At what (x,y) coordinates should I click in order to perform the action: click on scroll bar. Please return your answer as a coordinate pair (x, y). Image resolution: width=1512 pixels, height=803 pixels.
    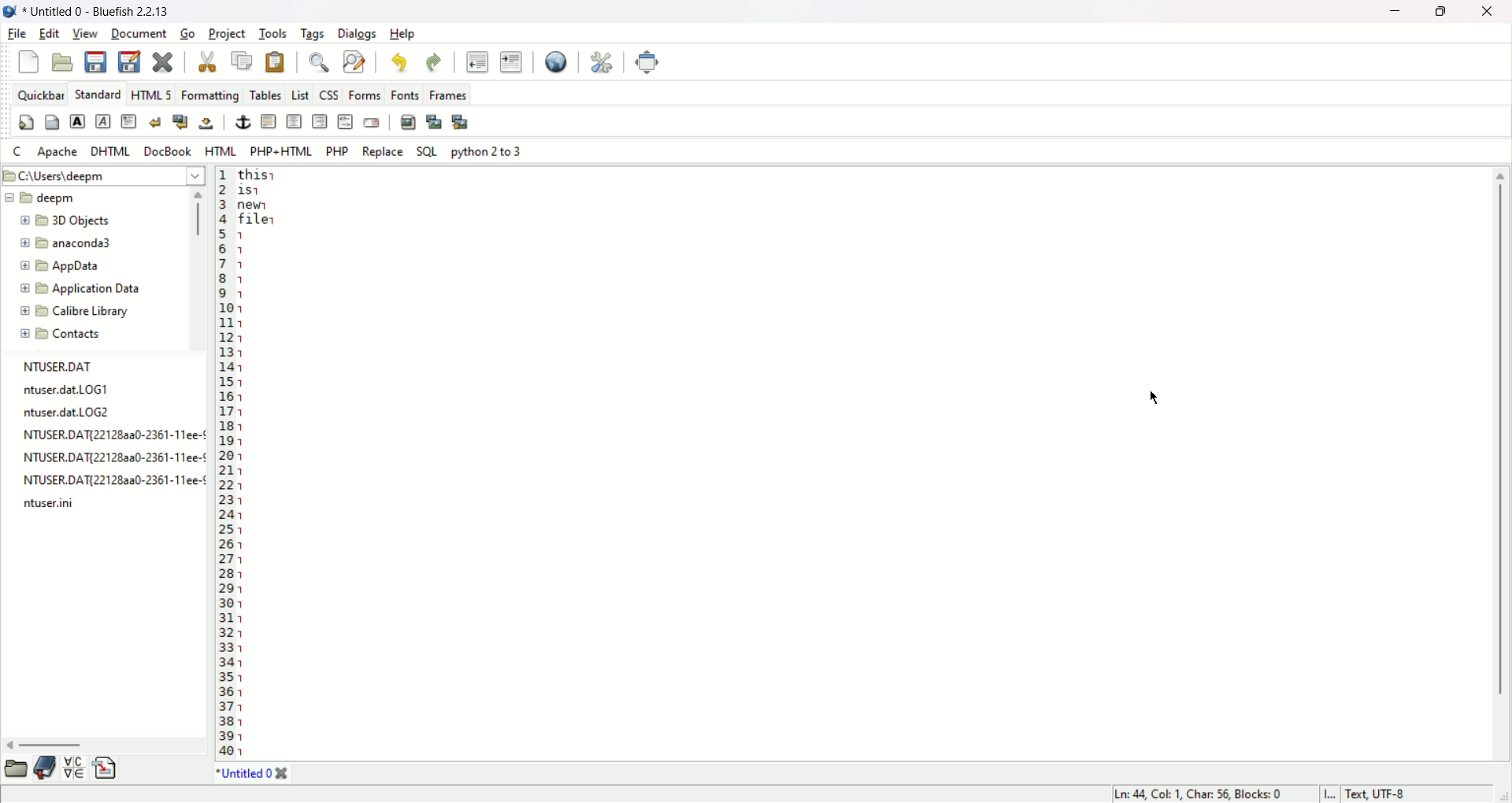
    Looking at the image, I should click on (1501, 435).